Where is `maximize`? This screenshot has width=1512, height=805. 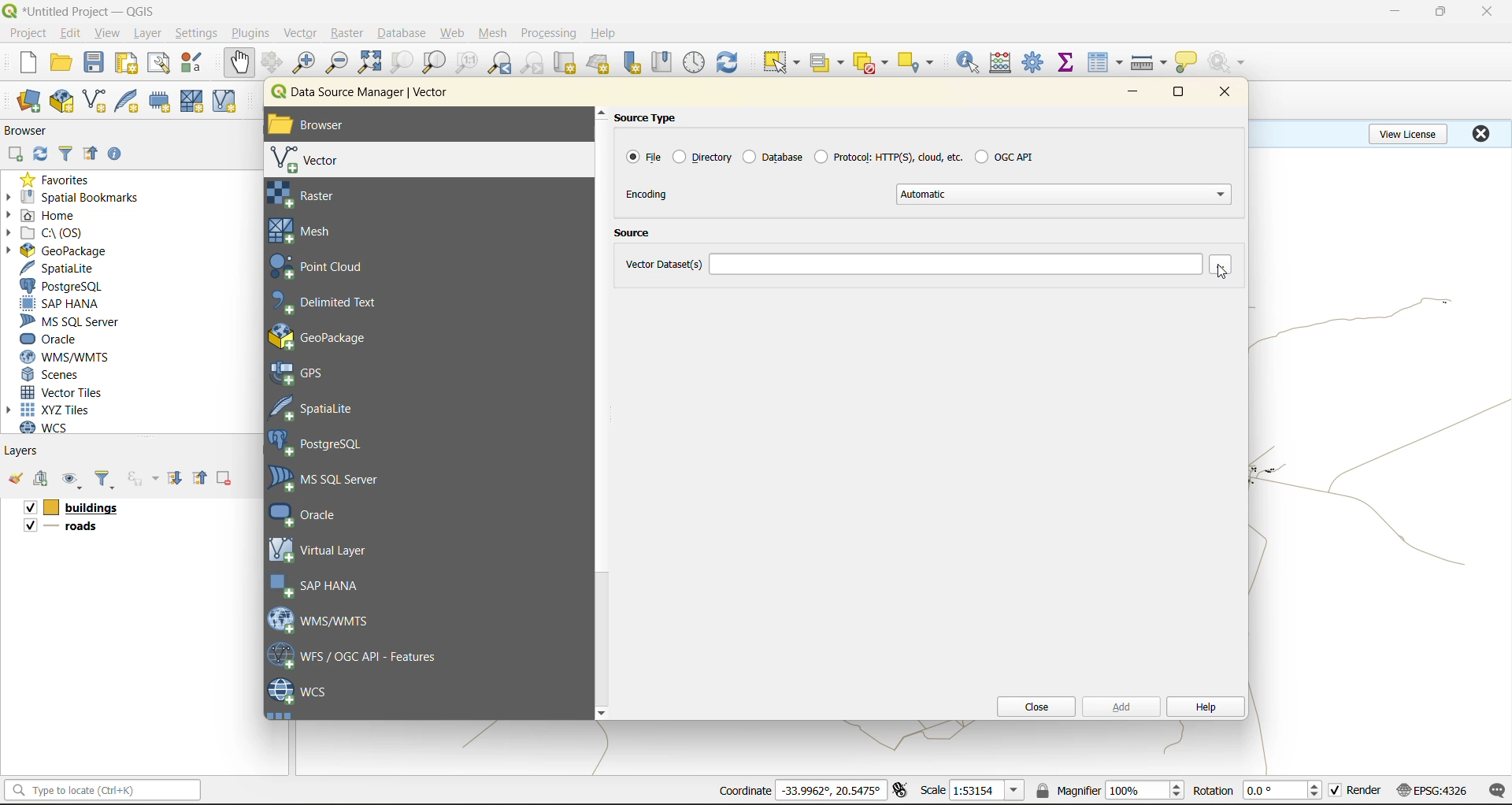 maximize is located at coordinates (1442, 12).